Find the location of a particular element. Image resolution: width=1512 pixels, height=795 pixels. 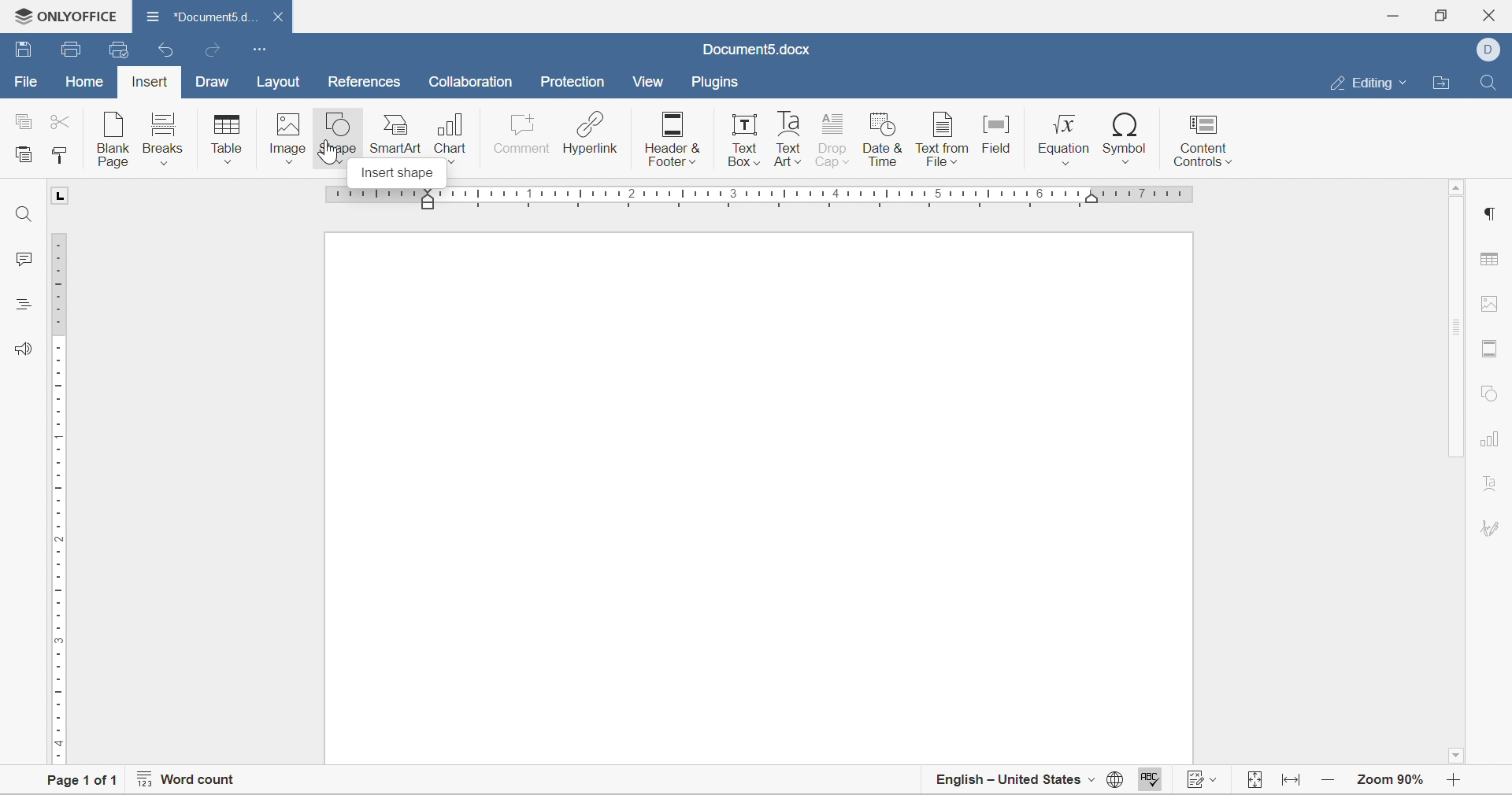

paste is located at coordinates (23, 154).